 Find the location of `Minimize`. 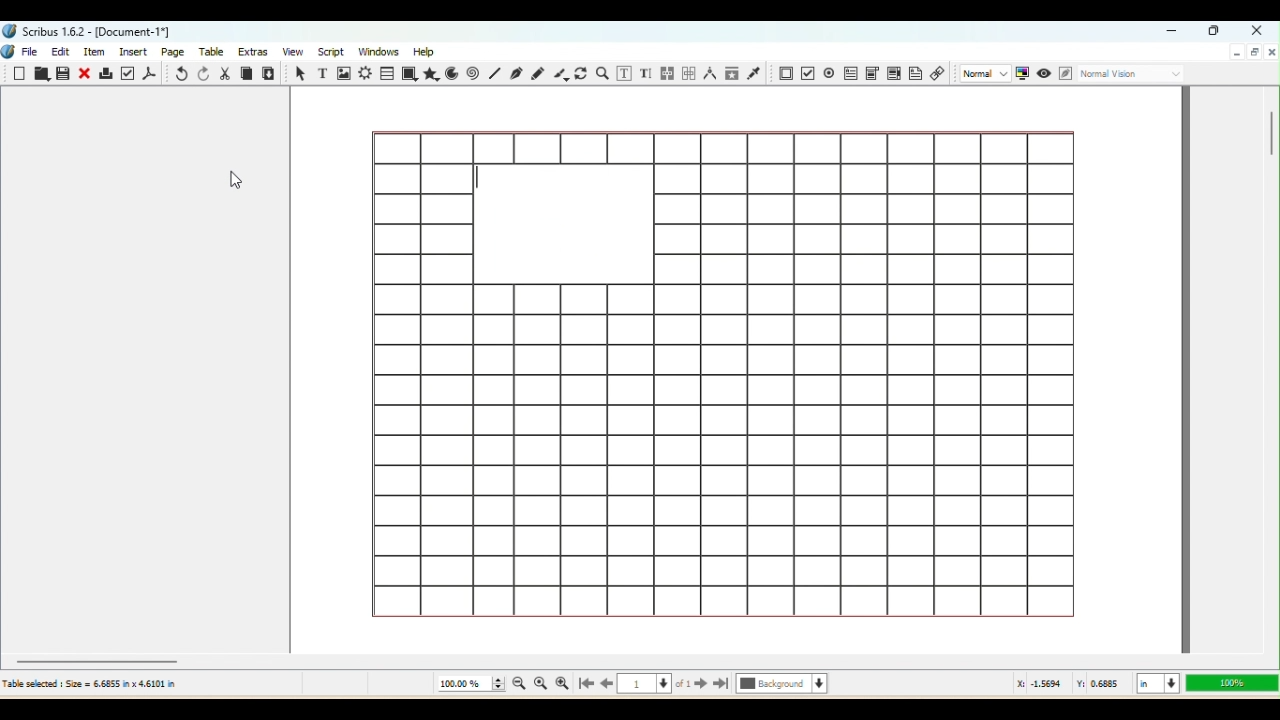

Minimize is located at coordinates (1236, 53).